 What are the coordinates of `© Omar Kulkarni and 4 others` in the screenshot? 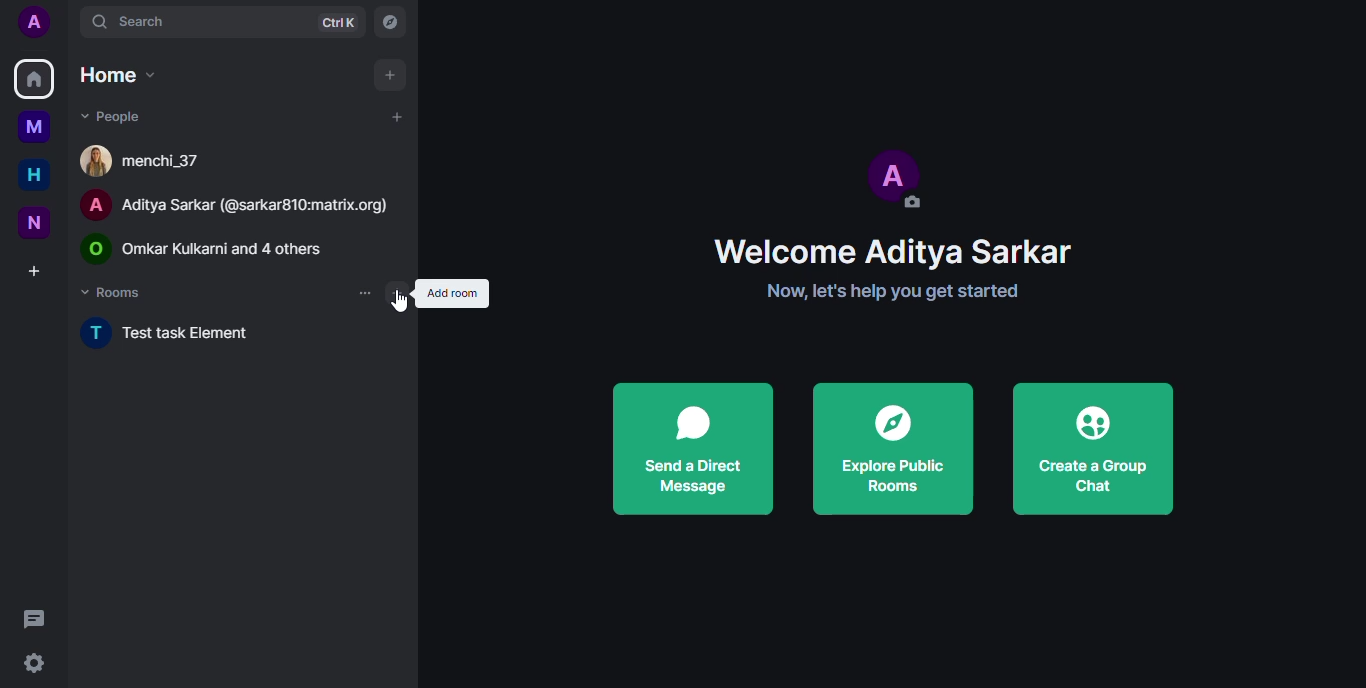 It's located at (219, 248).